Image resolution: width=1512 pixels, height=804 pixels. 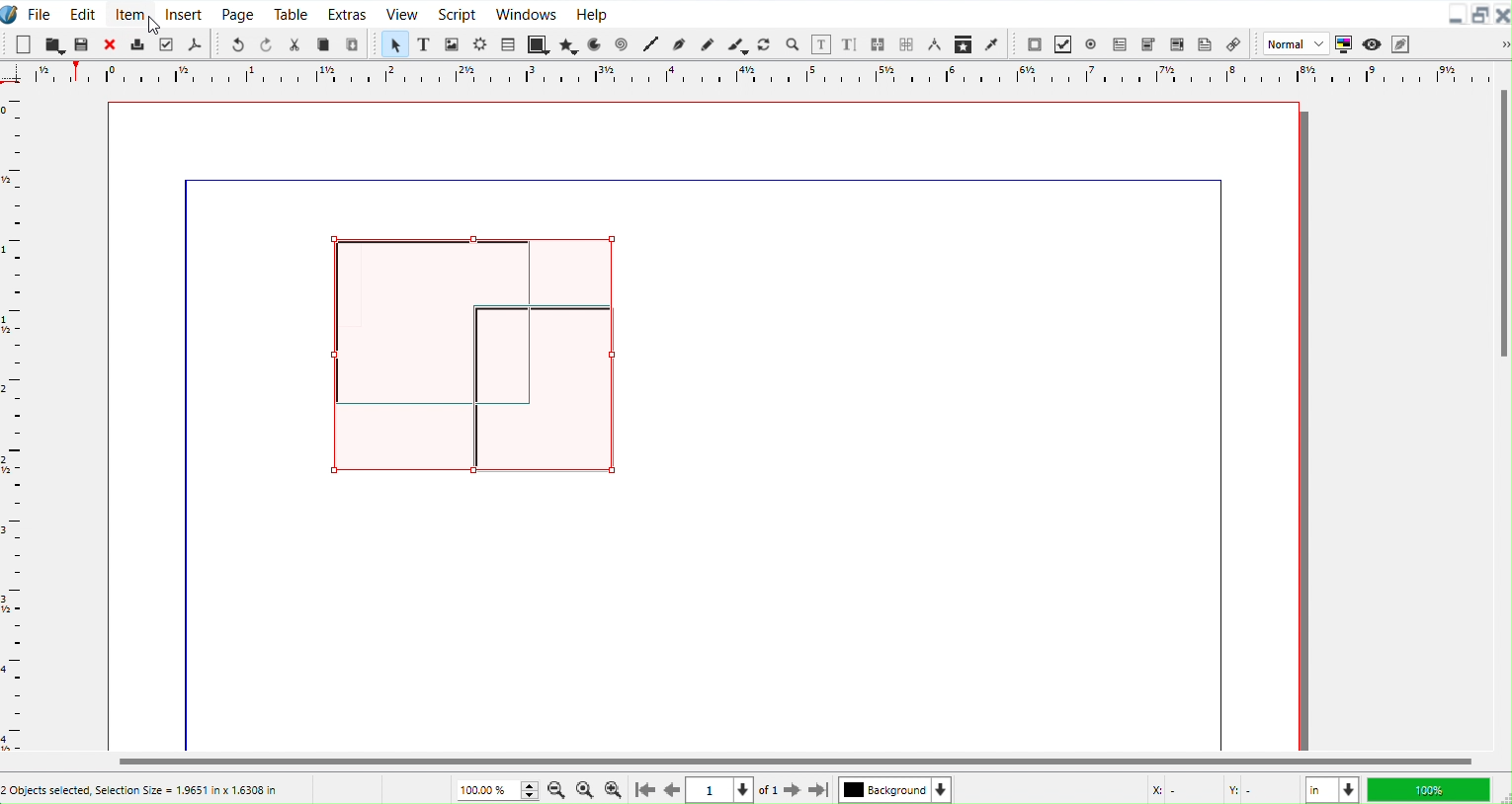 What do you see at coordinates (499, 789) in the screenshot?
I see `Current Zoom level` at bounding box center [499, 789].